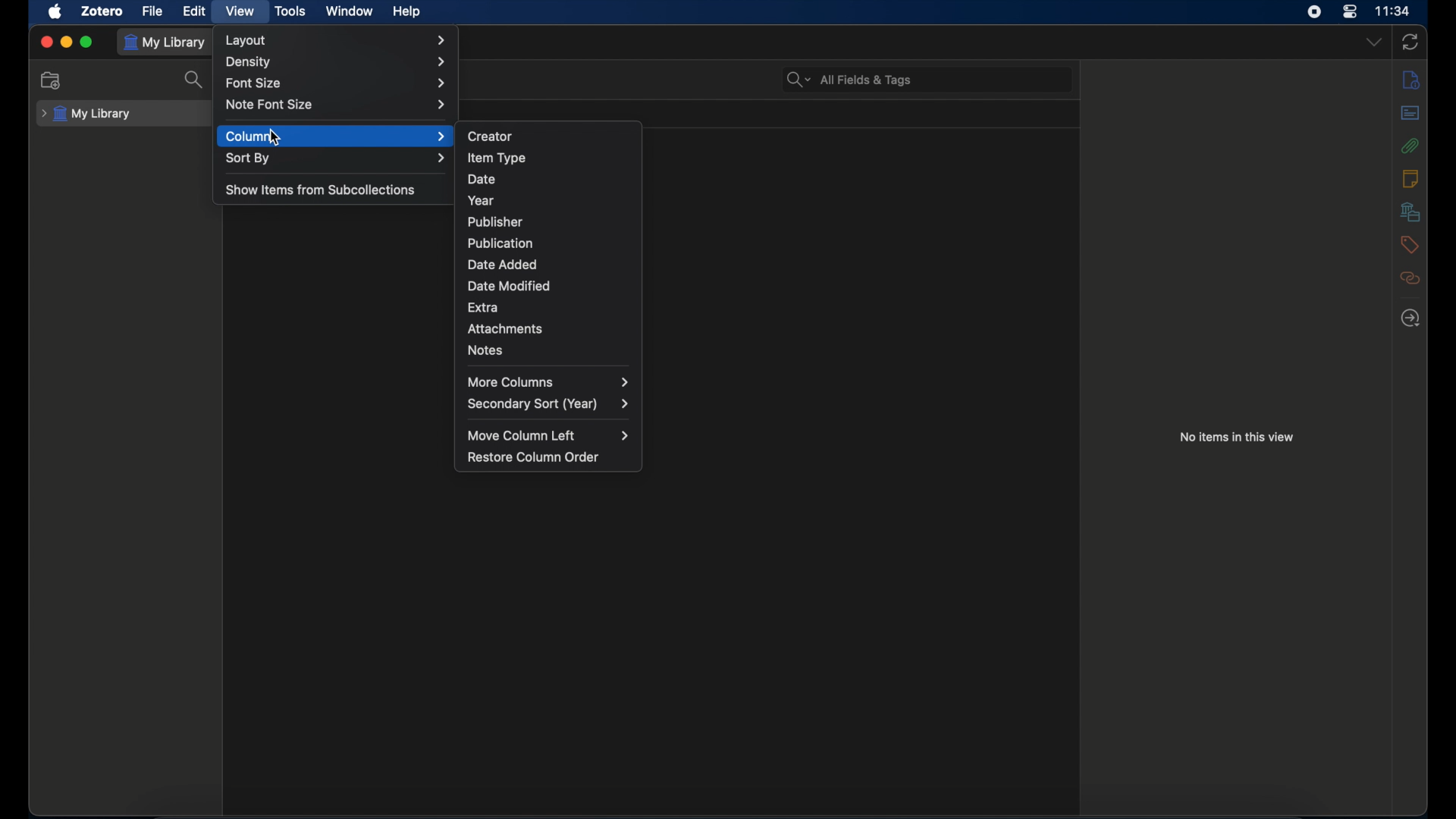  Describe the element at coordinates (1410, 318) in the screenshot. I see `locate` at that location.